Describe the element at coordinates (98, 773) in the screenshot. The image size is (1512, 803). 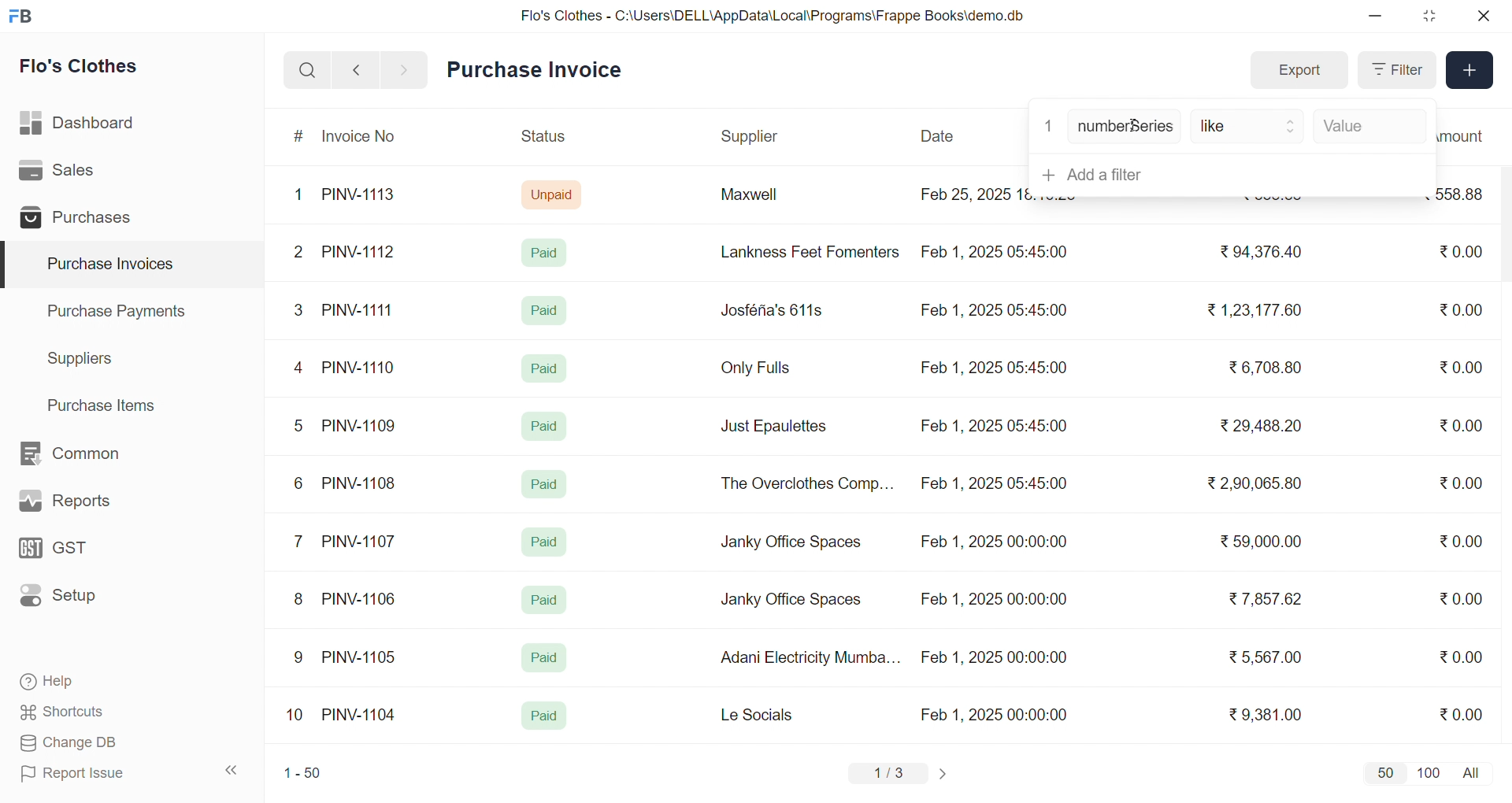
I see `Report Issue` at that location.